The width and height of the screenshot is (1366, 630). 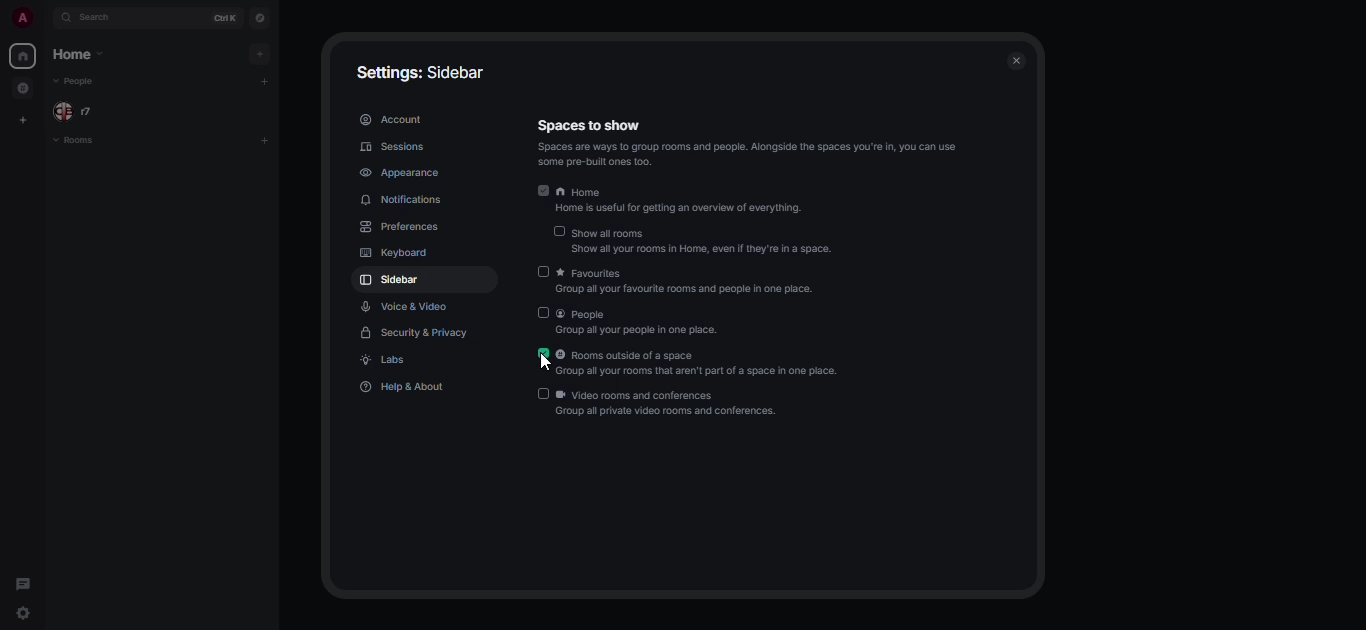 What do you see at coordinates (22, 120) in the screenshot?
I see `create space` at bounding box center [22, 120].